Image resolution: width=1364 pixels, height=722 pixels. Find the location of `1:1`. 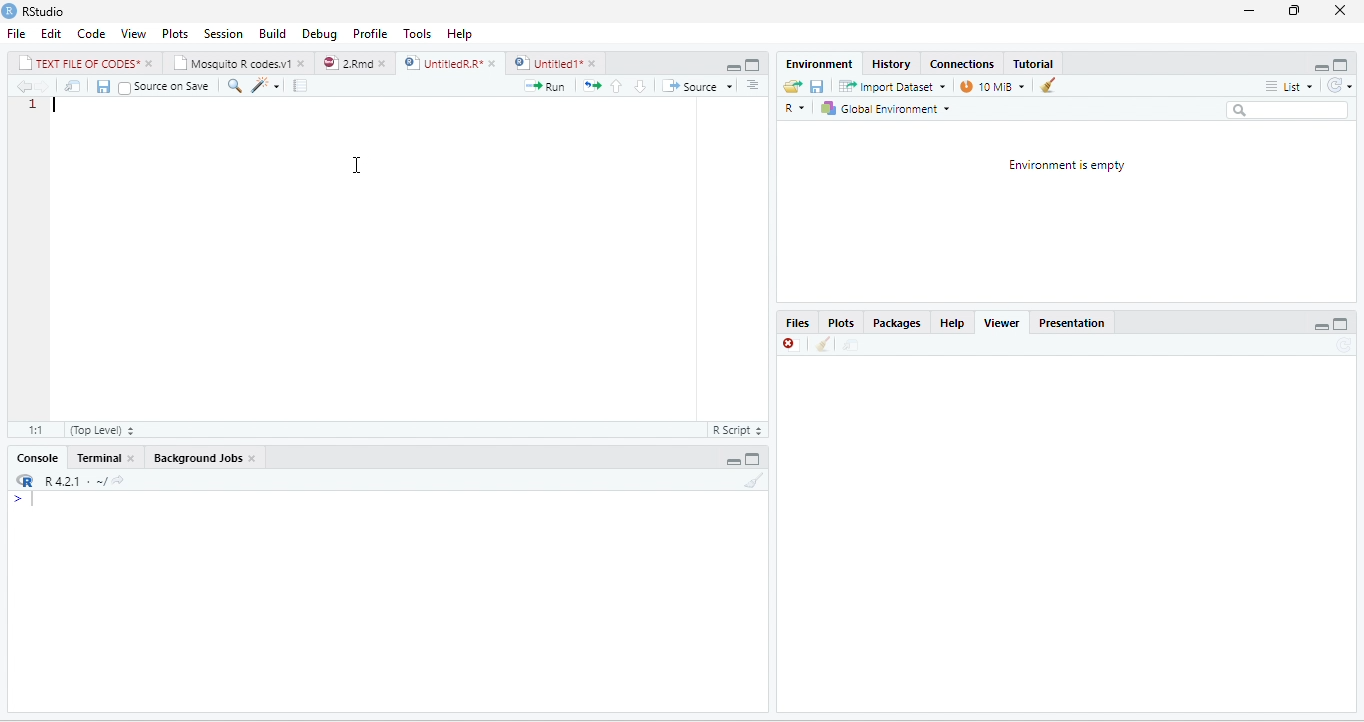

1:1 is located at coordinates (33, 431).